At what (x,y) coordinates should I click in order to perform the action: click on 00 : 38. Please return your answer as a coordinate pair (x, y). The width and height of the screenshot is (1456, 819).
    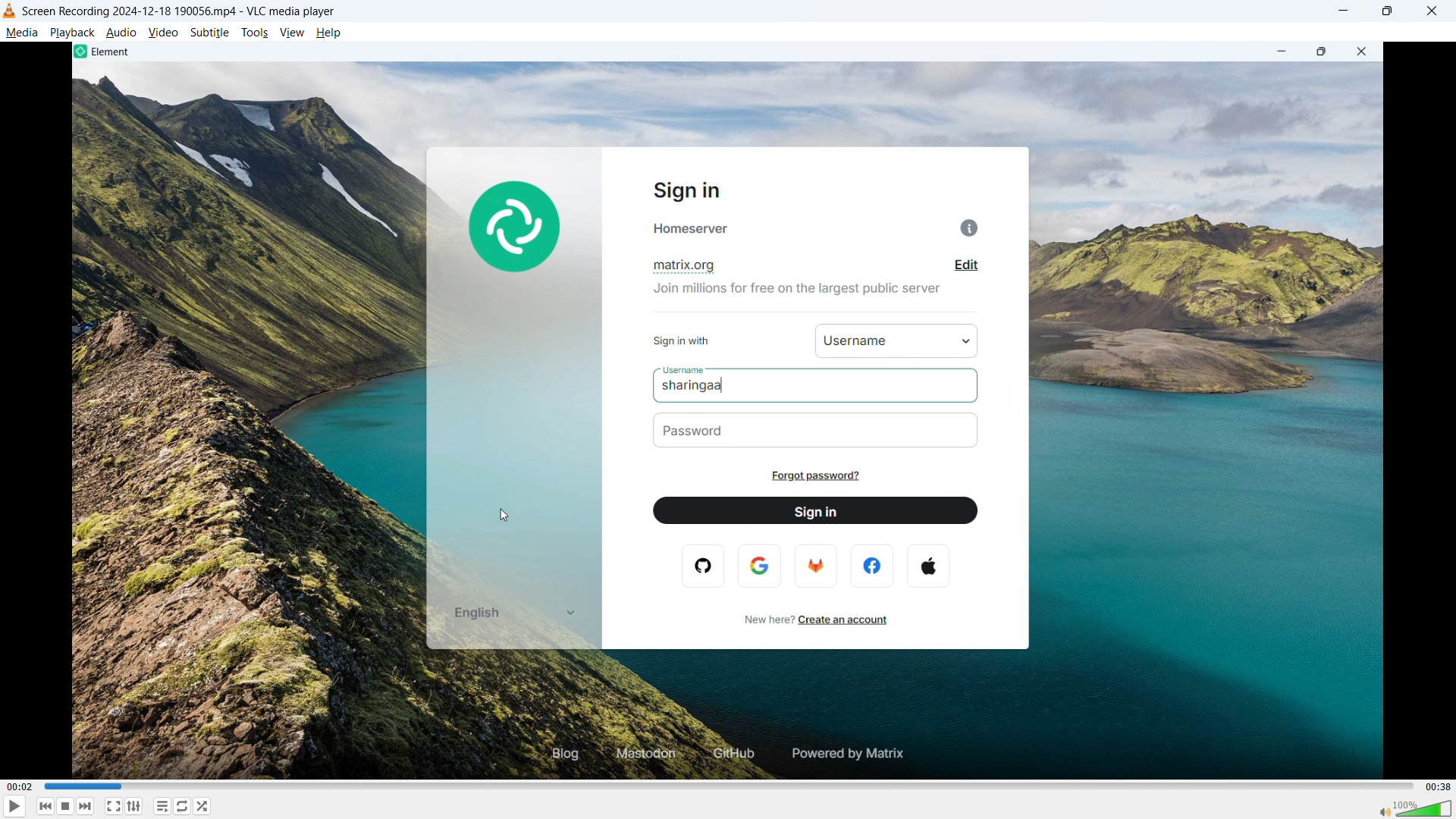
    Looking at the image, I should click on (1436, 786).